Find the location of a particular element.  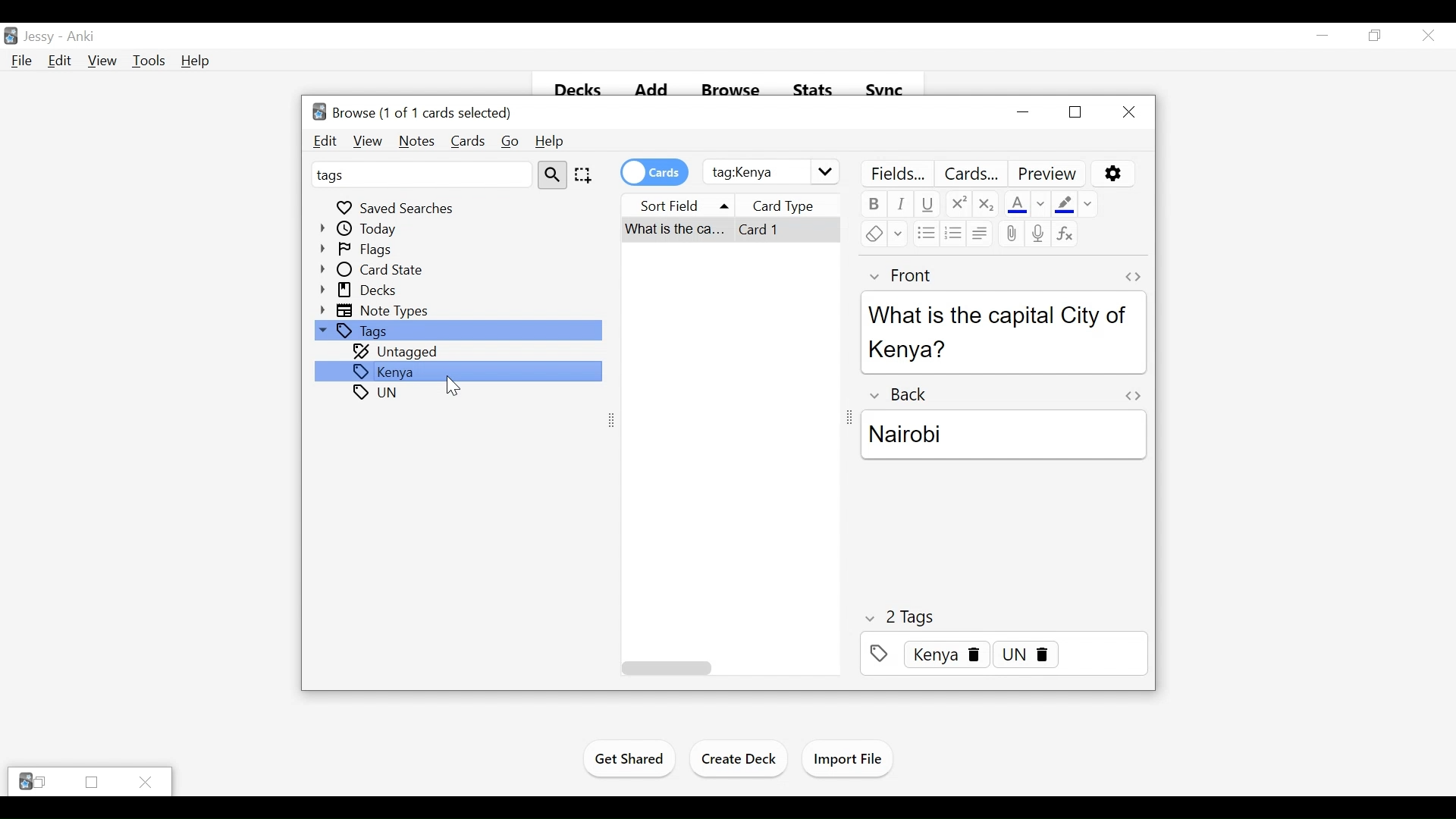

Options is located at coordinates (1112, 173).